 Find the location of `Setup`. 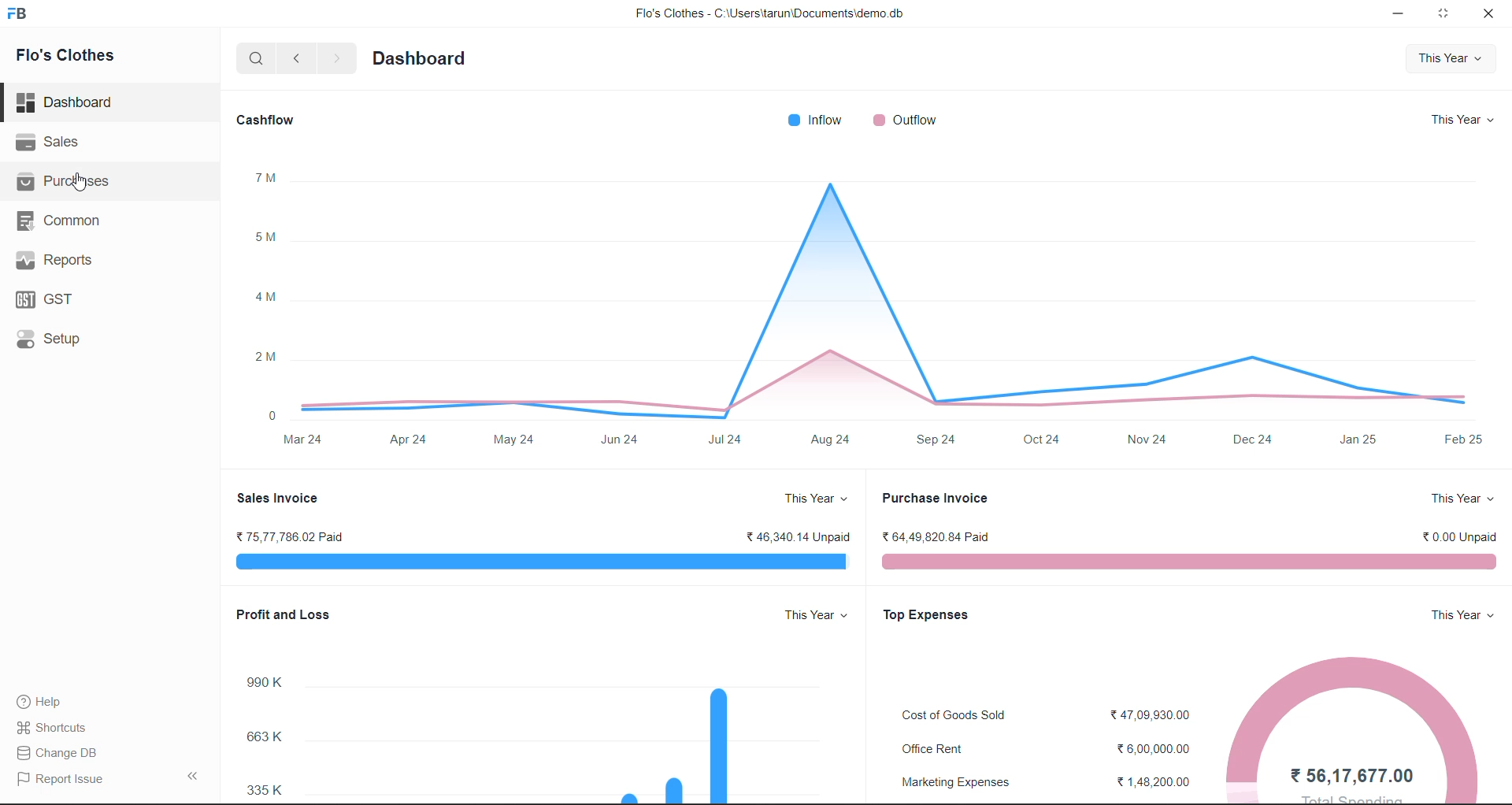

Setup is located at coordinates (45, 340).